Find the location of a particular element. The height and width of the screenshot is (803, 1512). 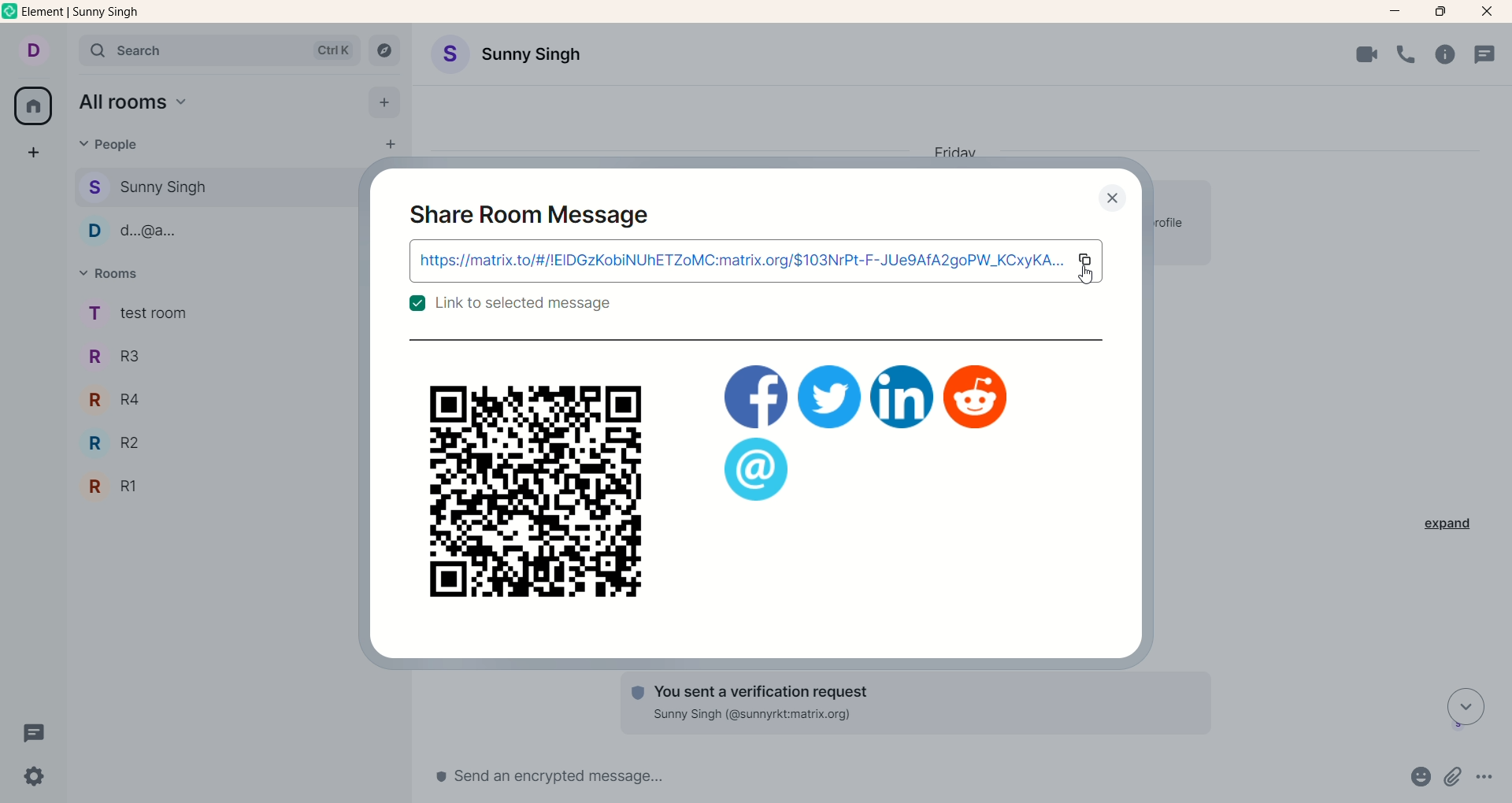

search is located at coordinates (219, 52).